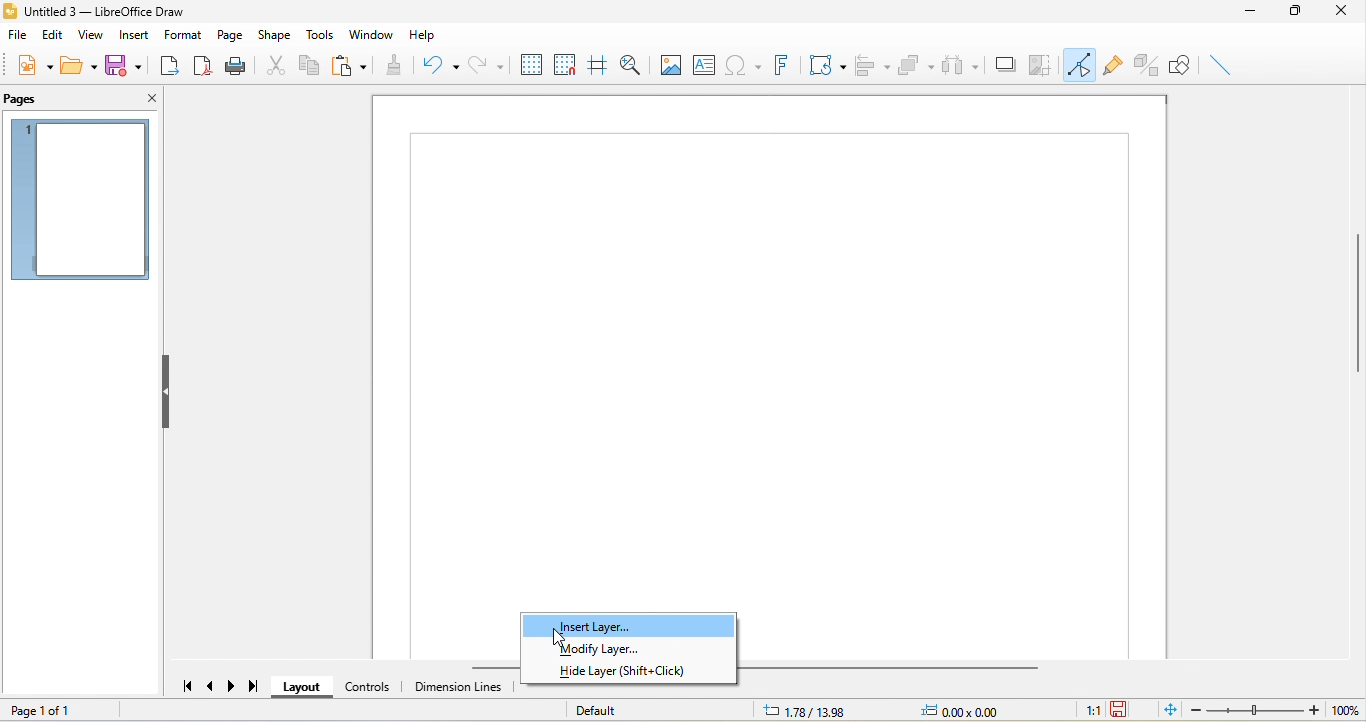  Describe the element at coordinates (56, 709) in the screenshot. I see `page 1 of 1` at that location.